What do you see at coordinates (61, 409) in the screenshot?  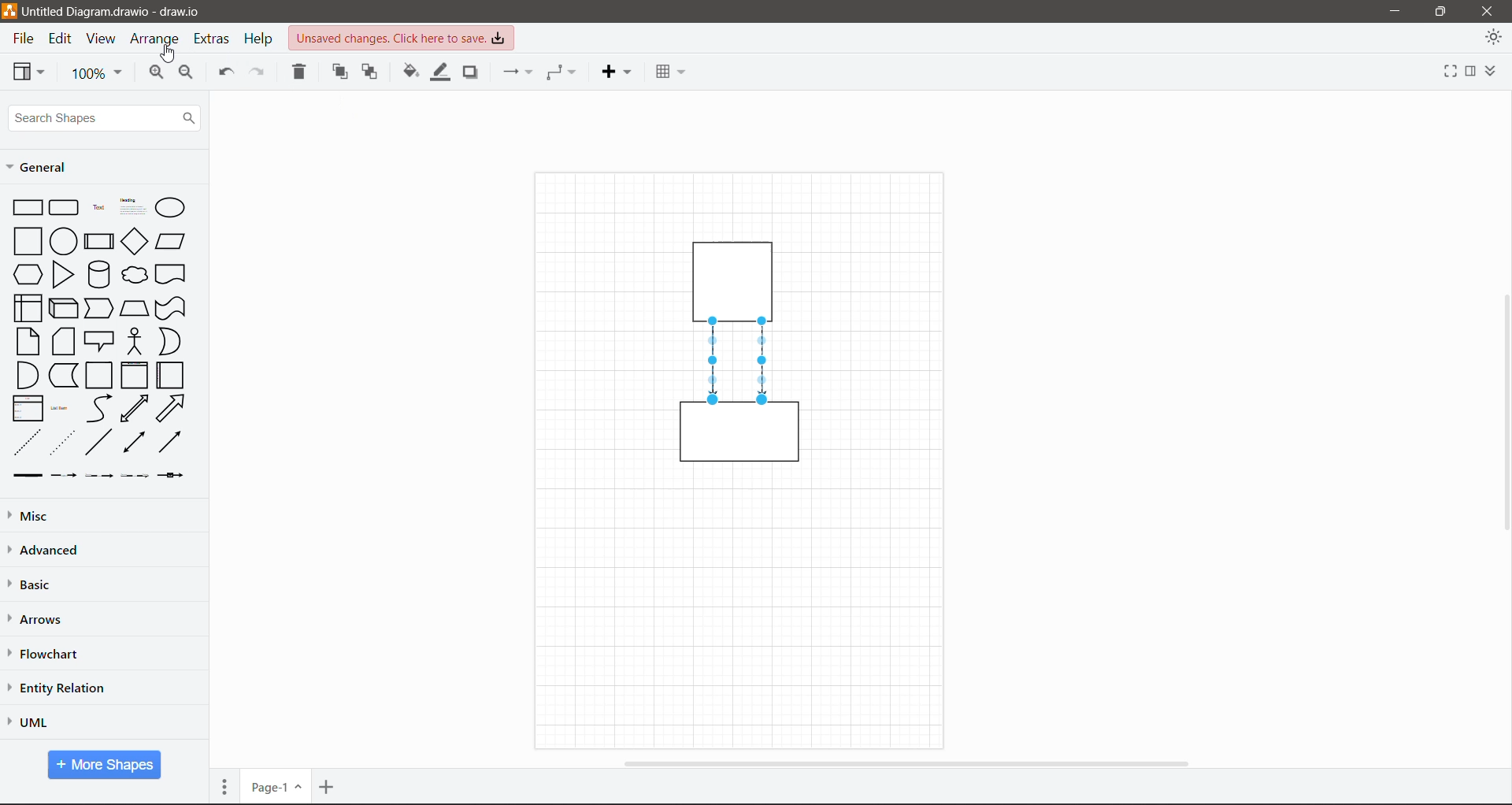 I see `List Item` at bounding box center [61, 409].